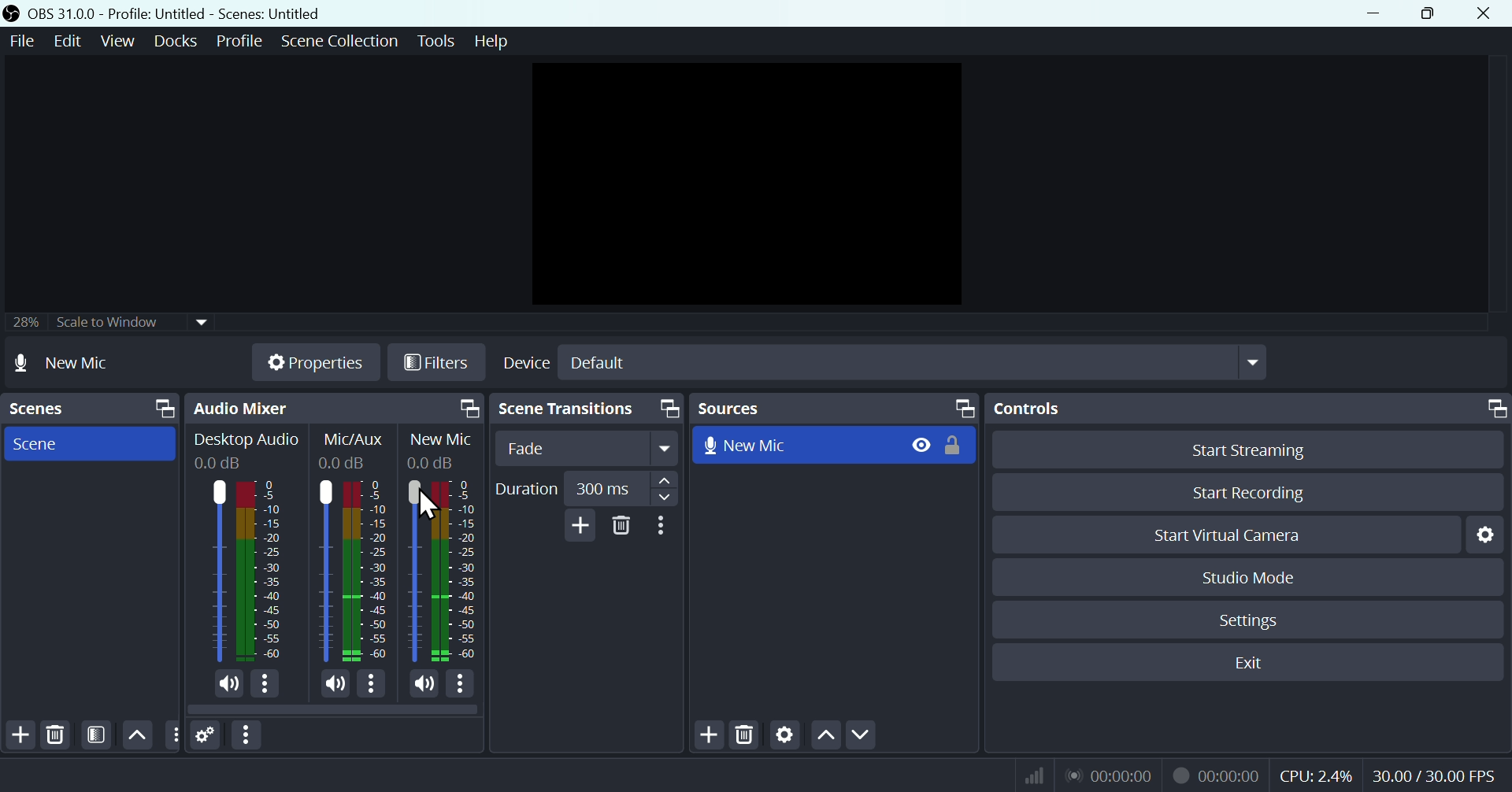  I want to click on Preview window, so click(751, 184).